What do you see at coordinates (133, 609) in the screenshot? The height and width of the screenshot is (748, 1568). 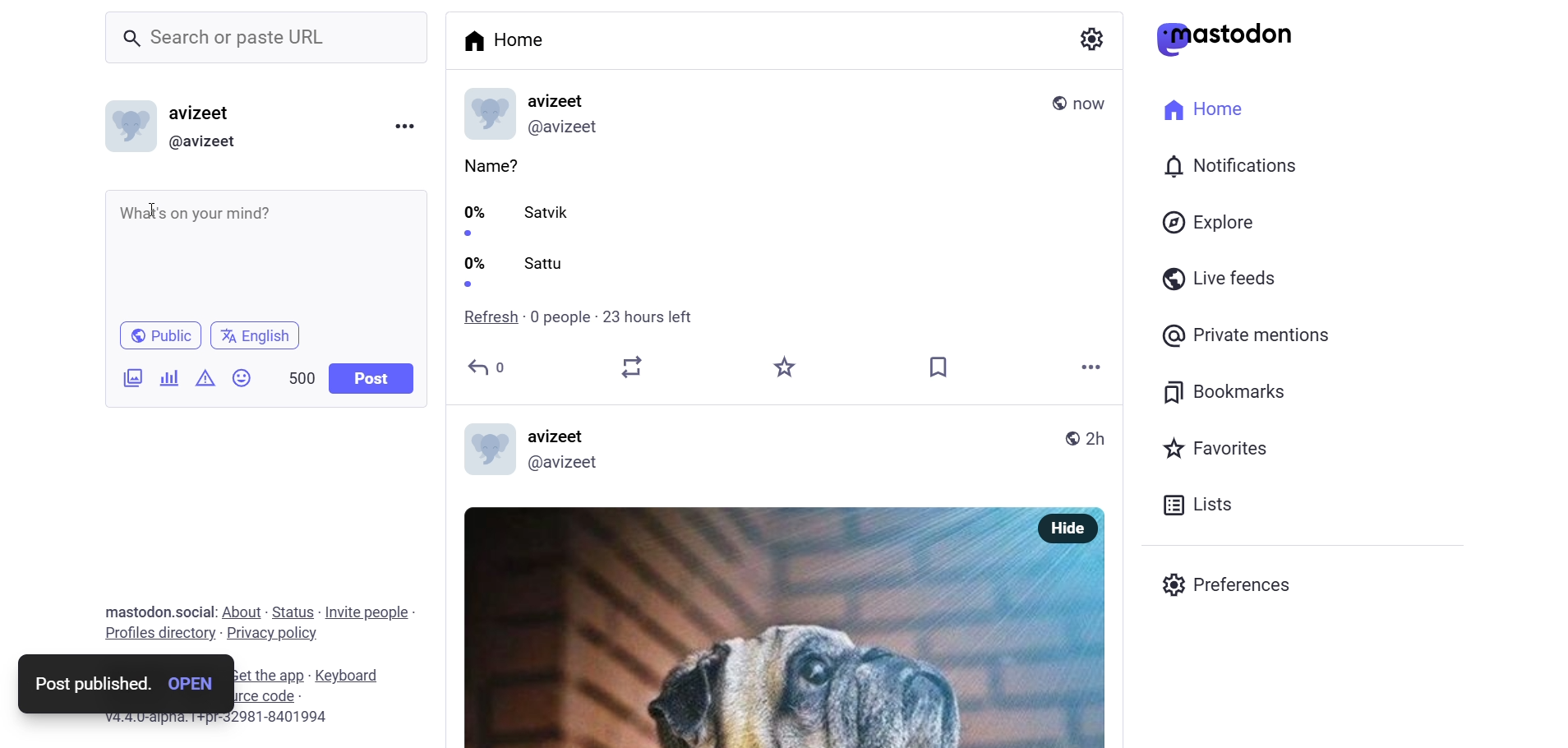 I see `mastodon` at bounding box center [133, 609].